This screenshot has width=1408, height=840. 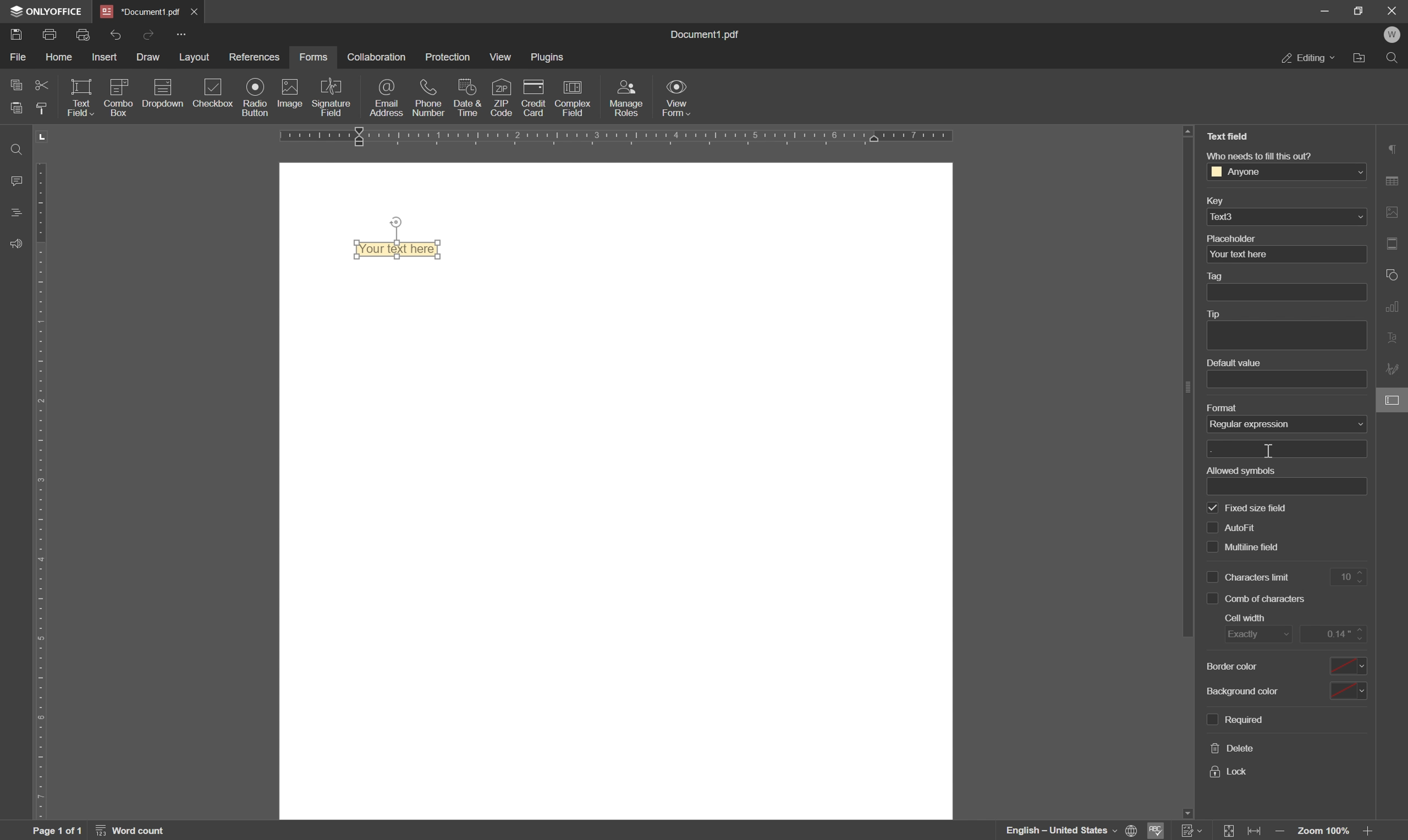 I want to click on track changes, so click(x=1192, y=831).